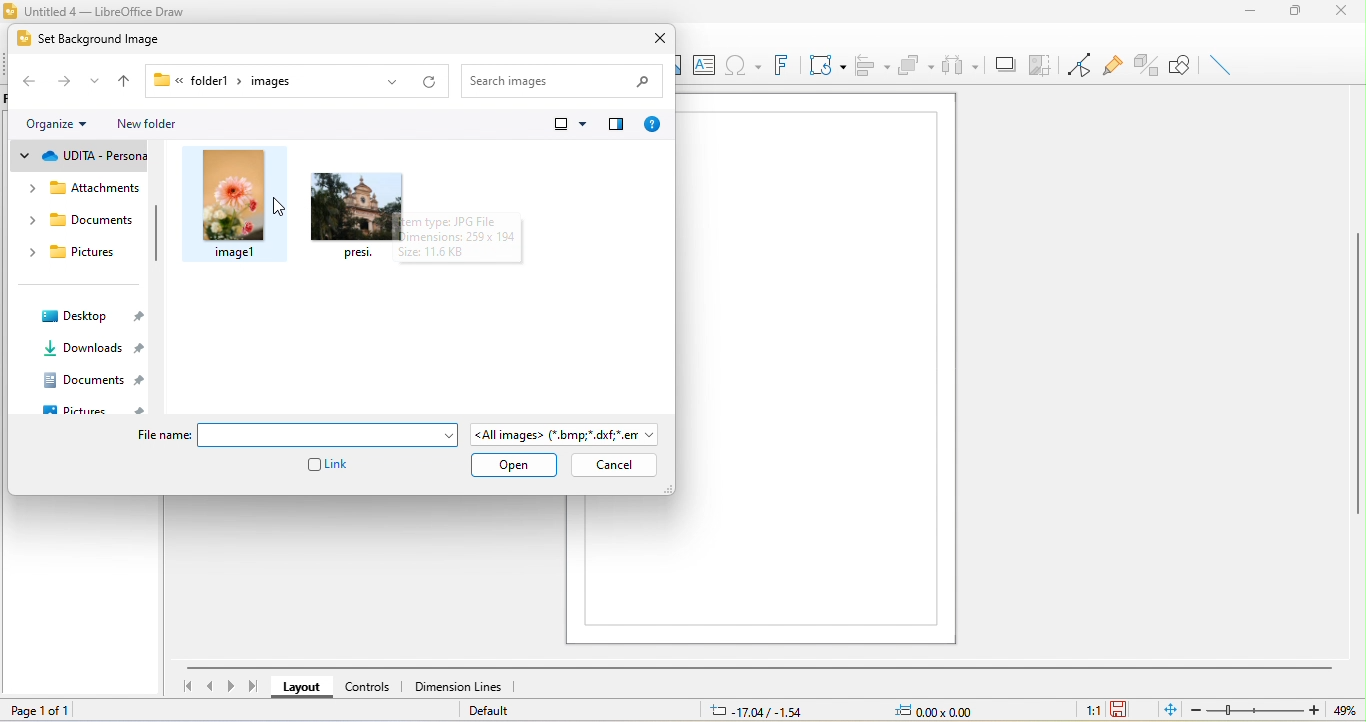  I want to click on show draw function, so click(1181, 65).